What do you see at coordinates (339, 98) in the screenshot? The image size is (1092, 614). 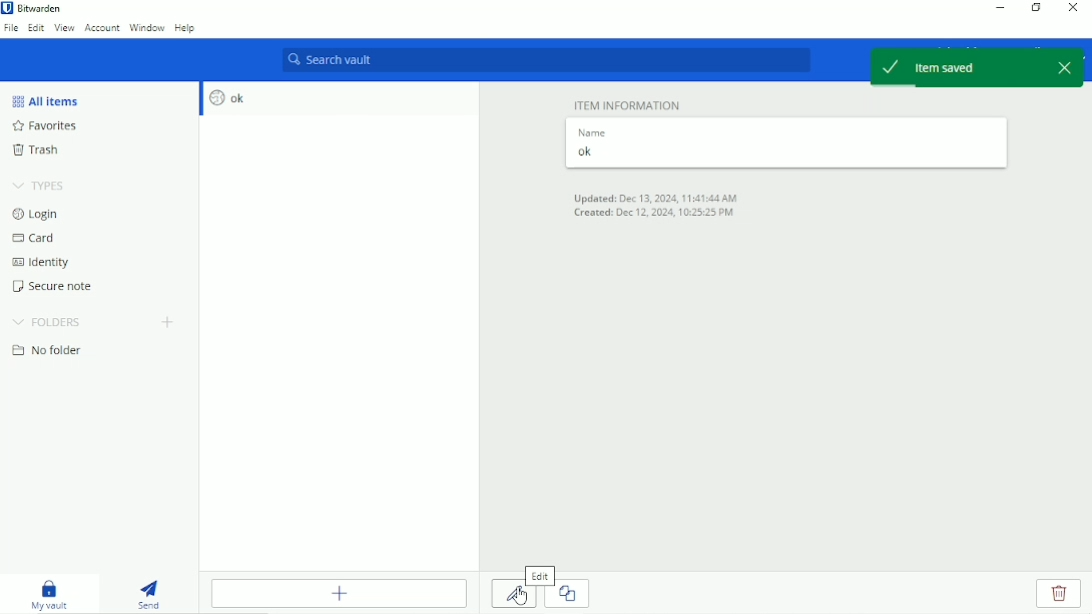 I see `ok` at bounding box center [339, 98].